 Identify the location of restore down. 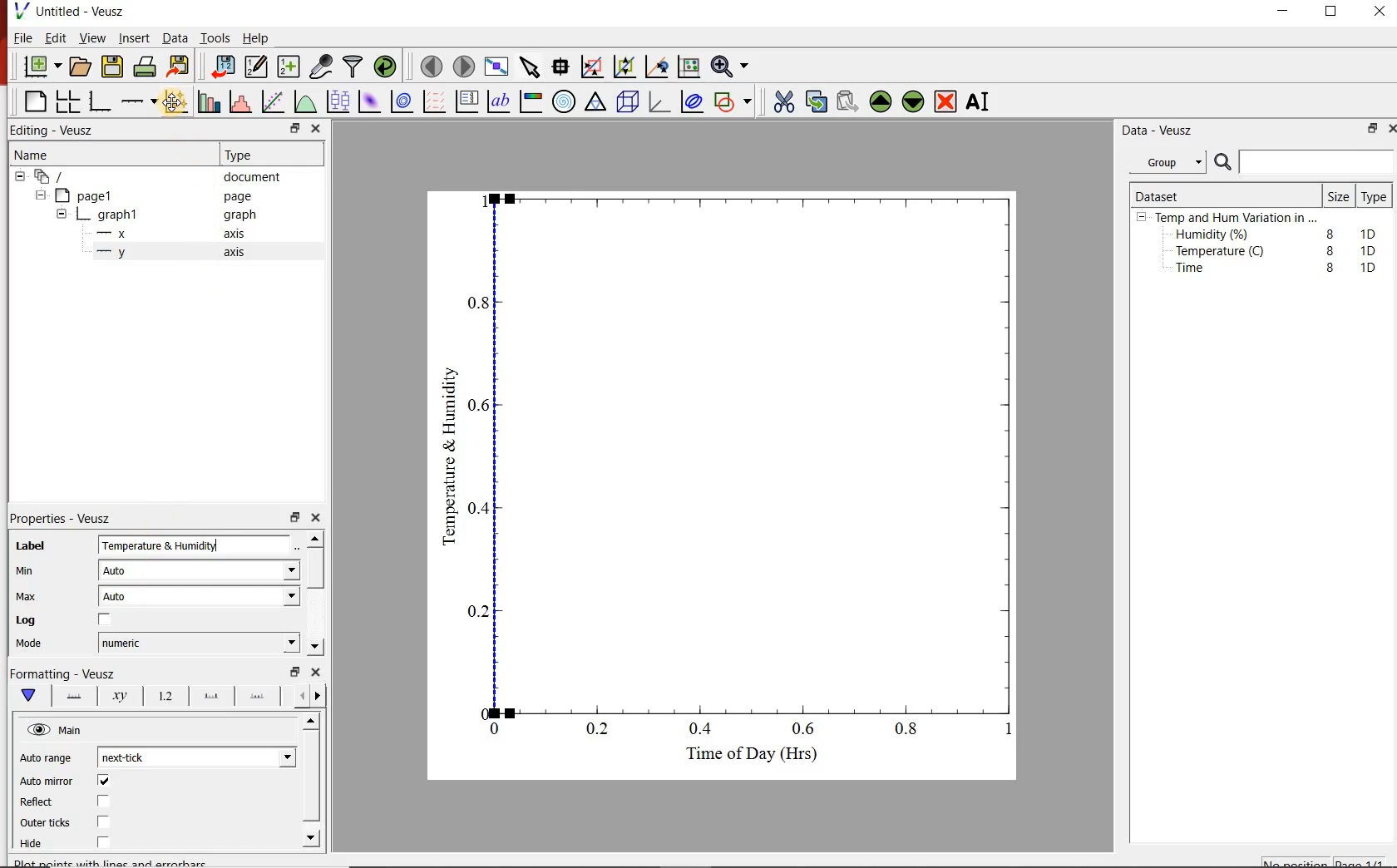
(1369, 131).